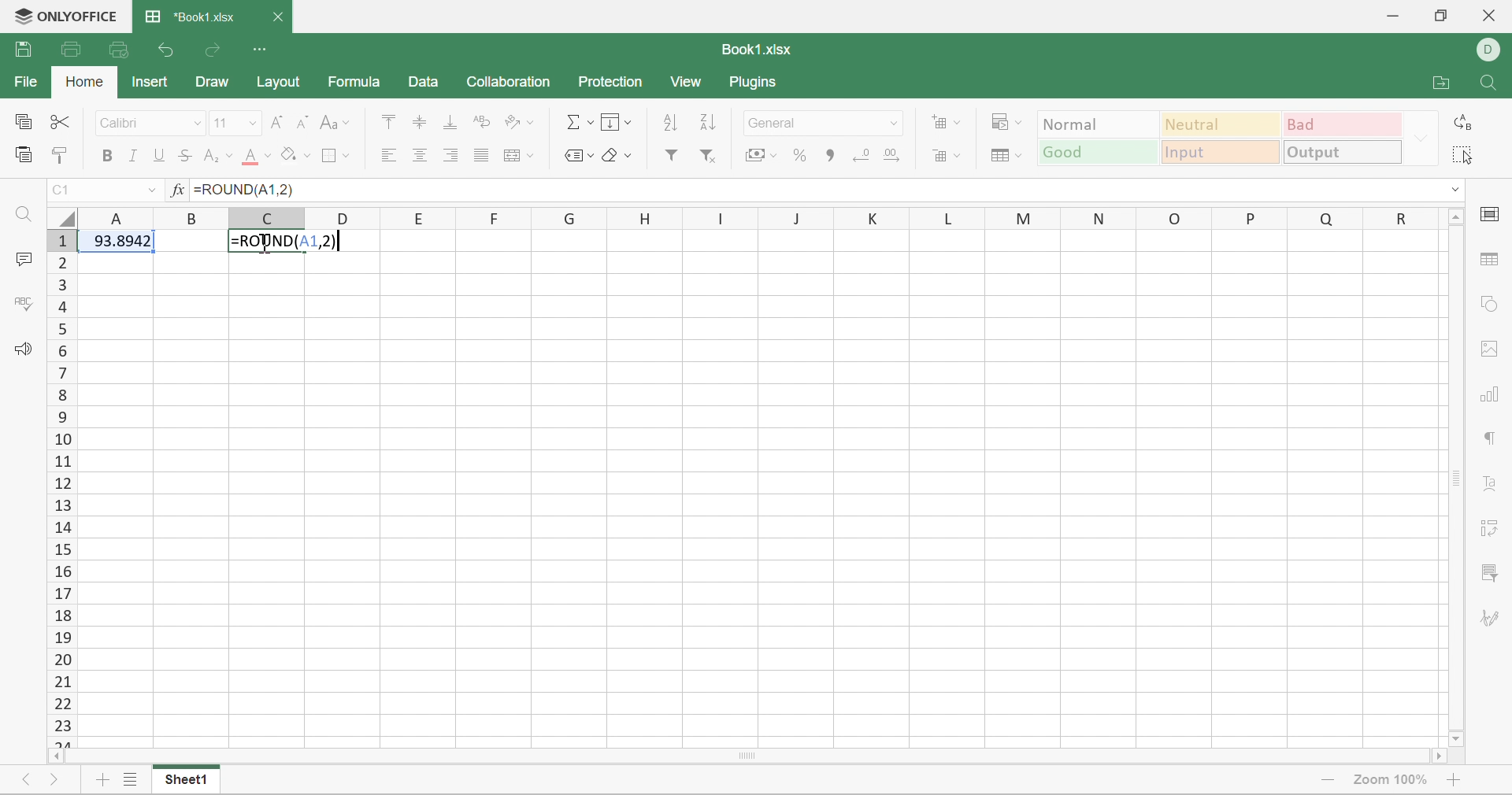  Describe the element at coordinates (295, 153) in the screenshot. I see `Fill color` at that location.